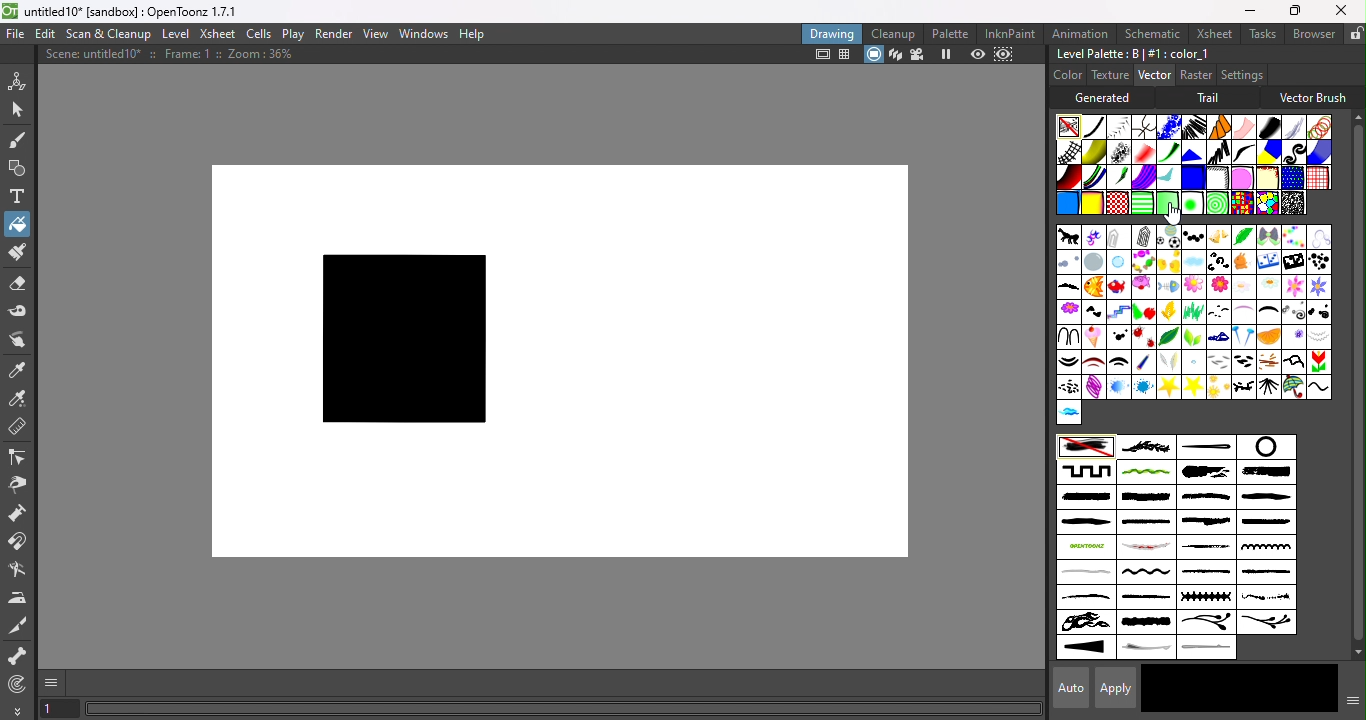 This screenshot has width=1366, height=720. I want to click on small_brush2, so click(1265, 573).